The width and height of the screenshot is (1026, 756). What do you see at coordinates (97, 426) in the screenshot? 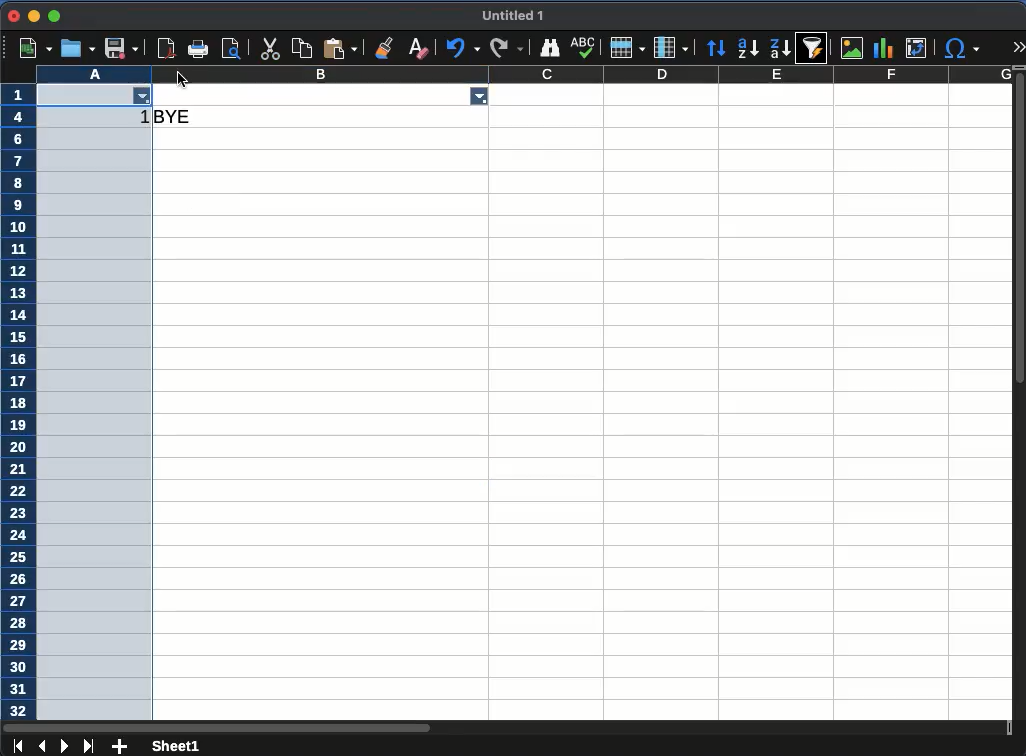
I see `selected` at bounding box center [97, 426].